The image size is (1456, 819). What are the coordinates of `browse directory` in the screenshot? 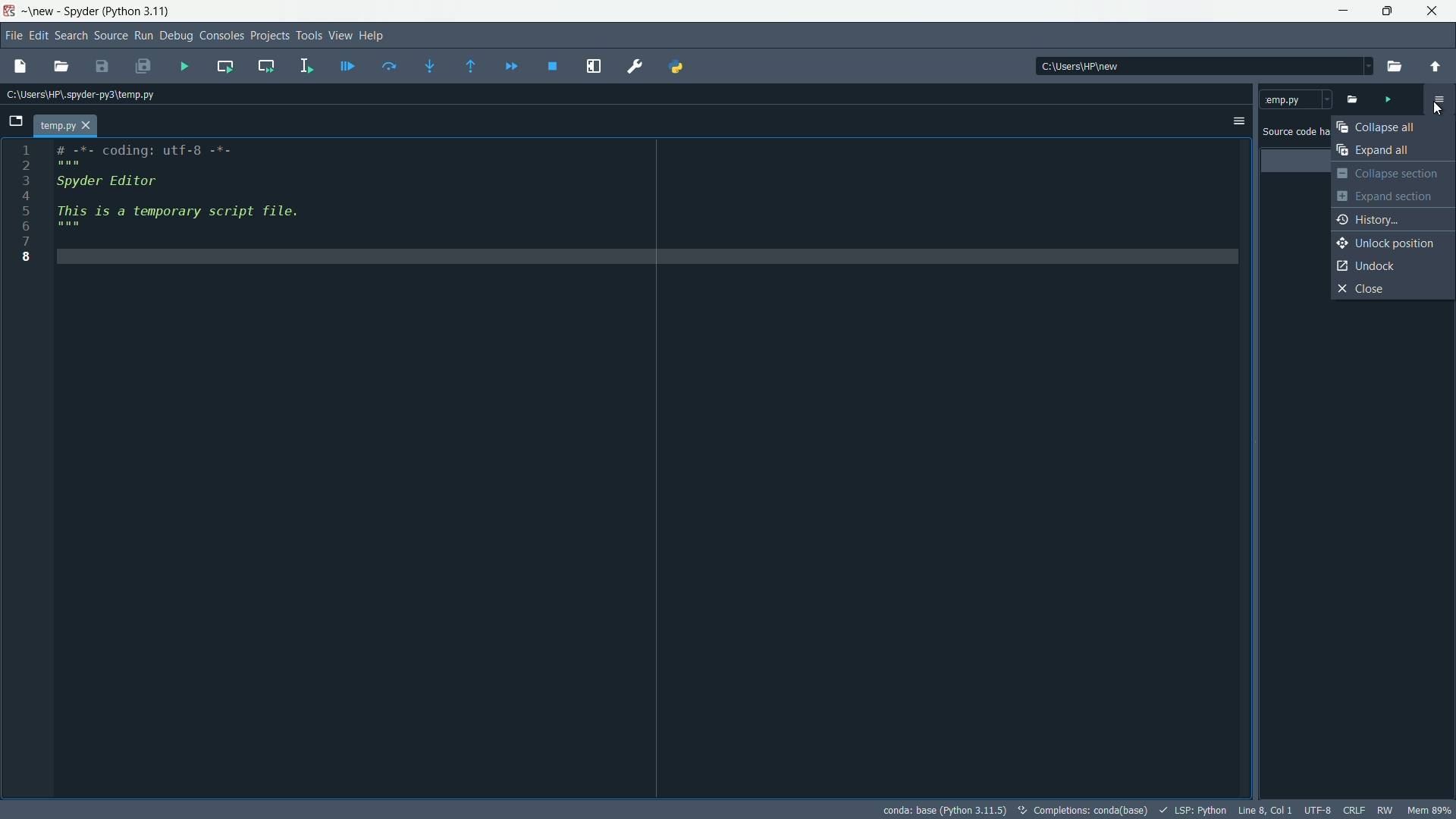 It's located at (1395, 64).